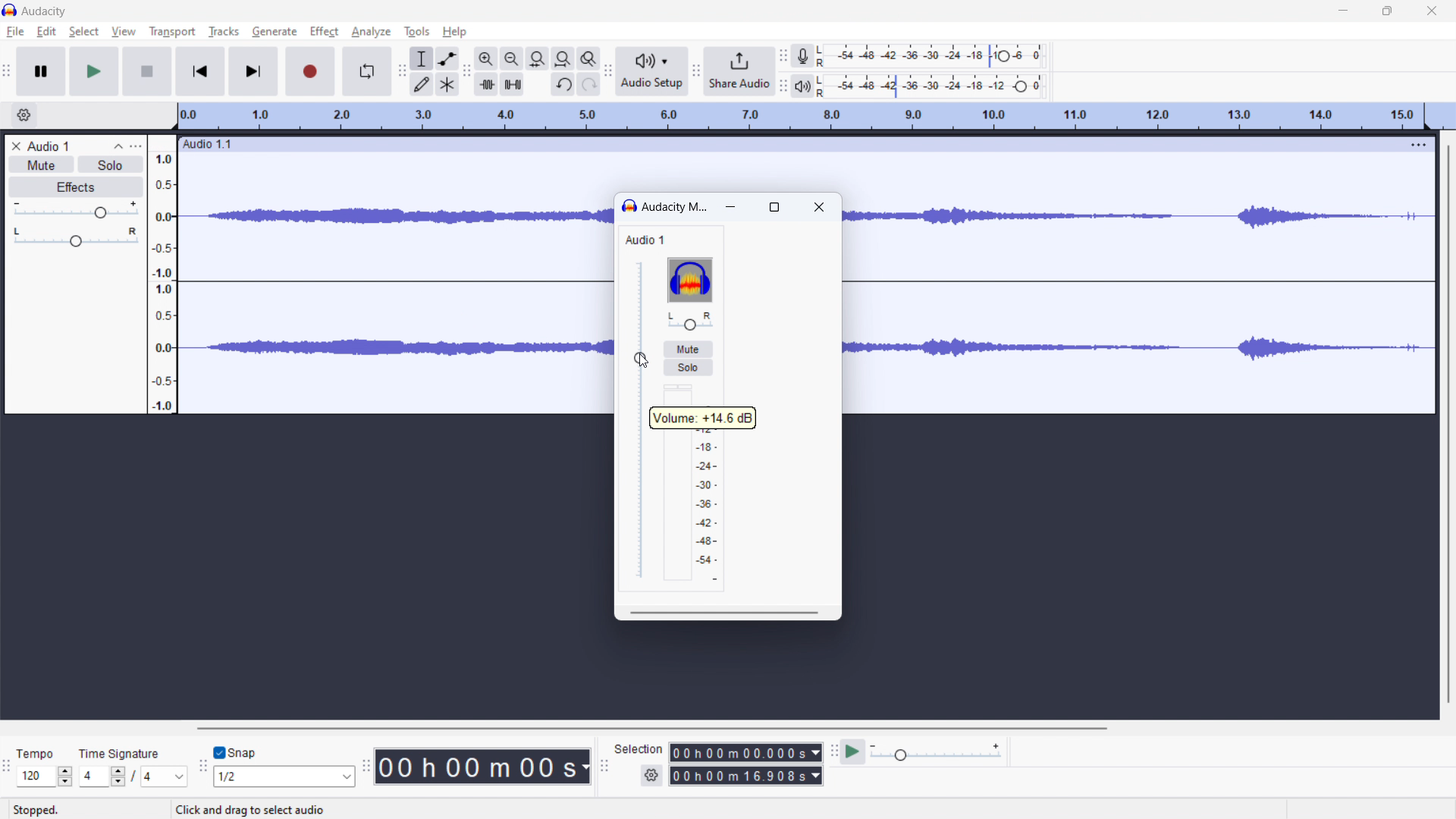  What do you see at coordinates (402, 71) in the screenshot?
I see `tools toolbar` at bounding box center [402, 71].